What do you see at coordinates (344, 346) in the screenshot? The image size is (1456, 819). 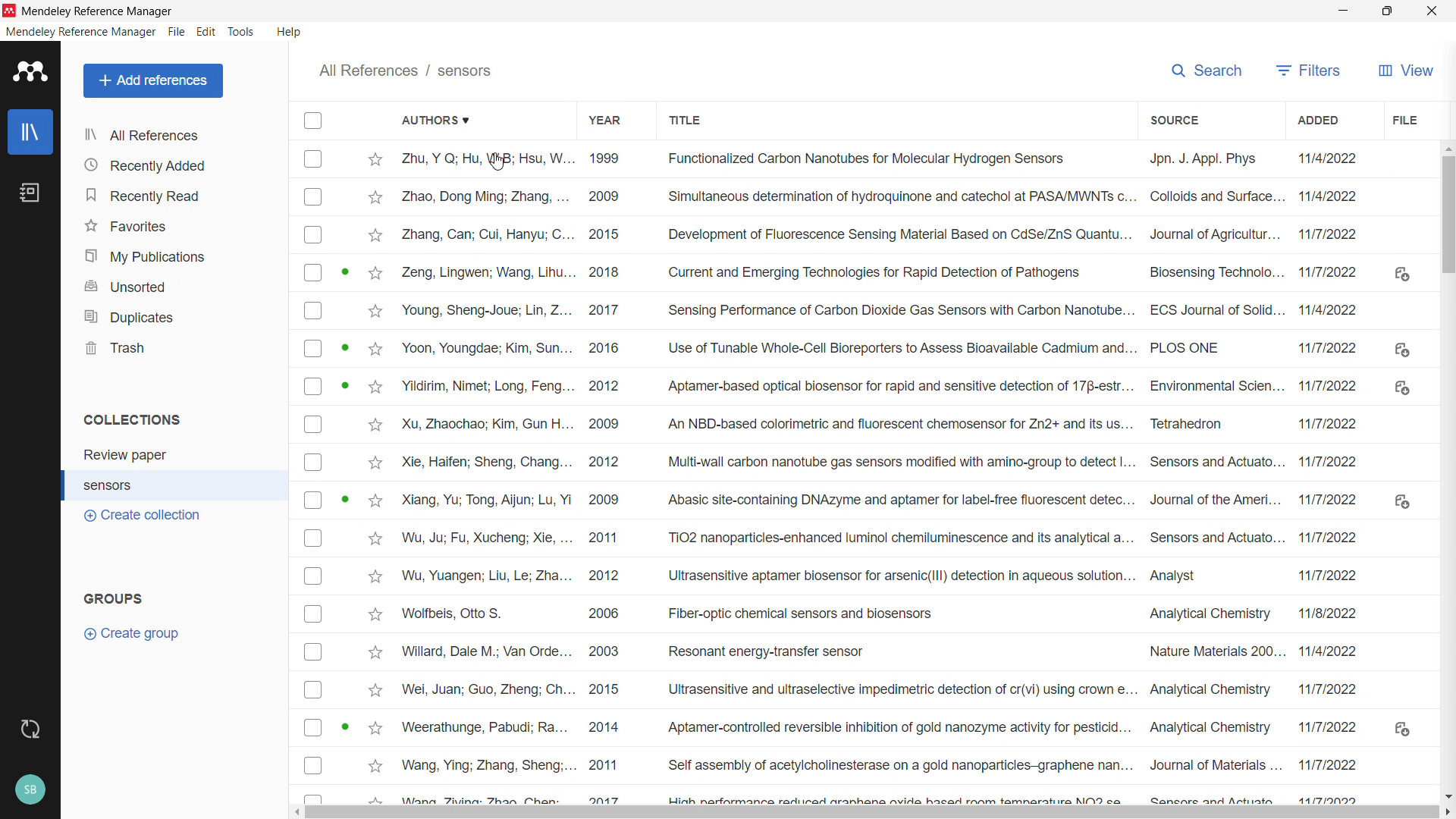 I see `PDF available` at bounding box center [344, 346].